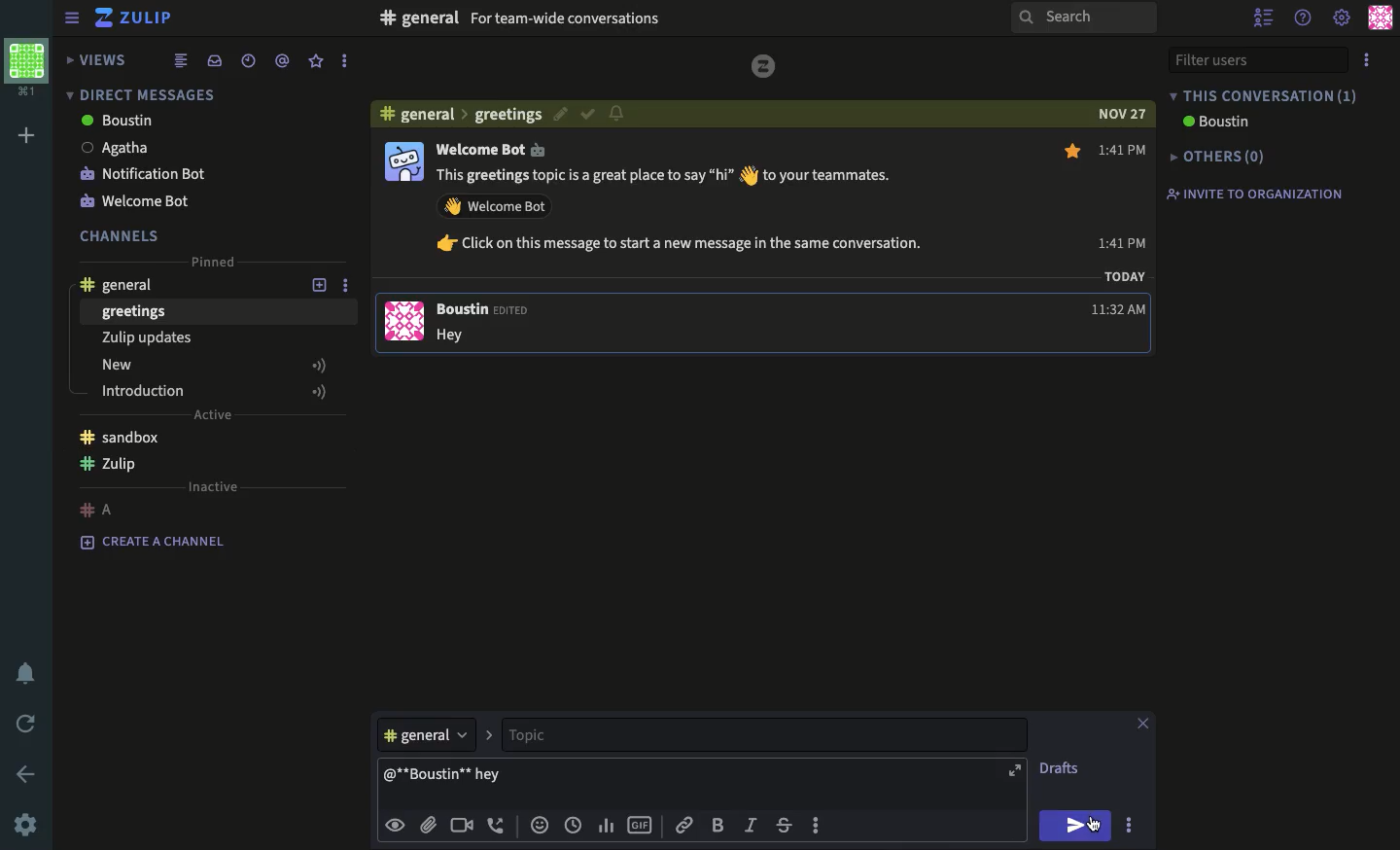 The height and width of the screenshot is (850, 1400). I want to click on welcome bot, so click(138, 203).